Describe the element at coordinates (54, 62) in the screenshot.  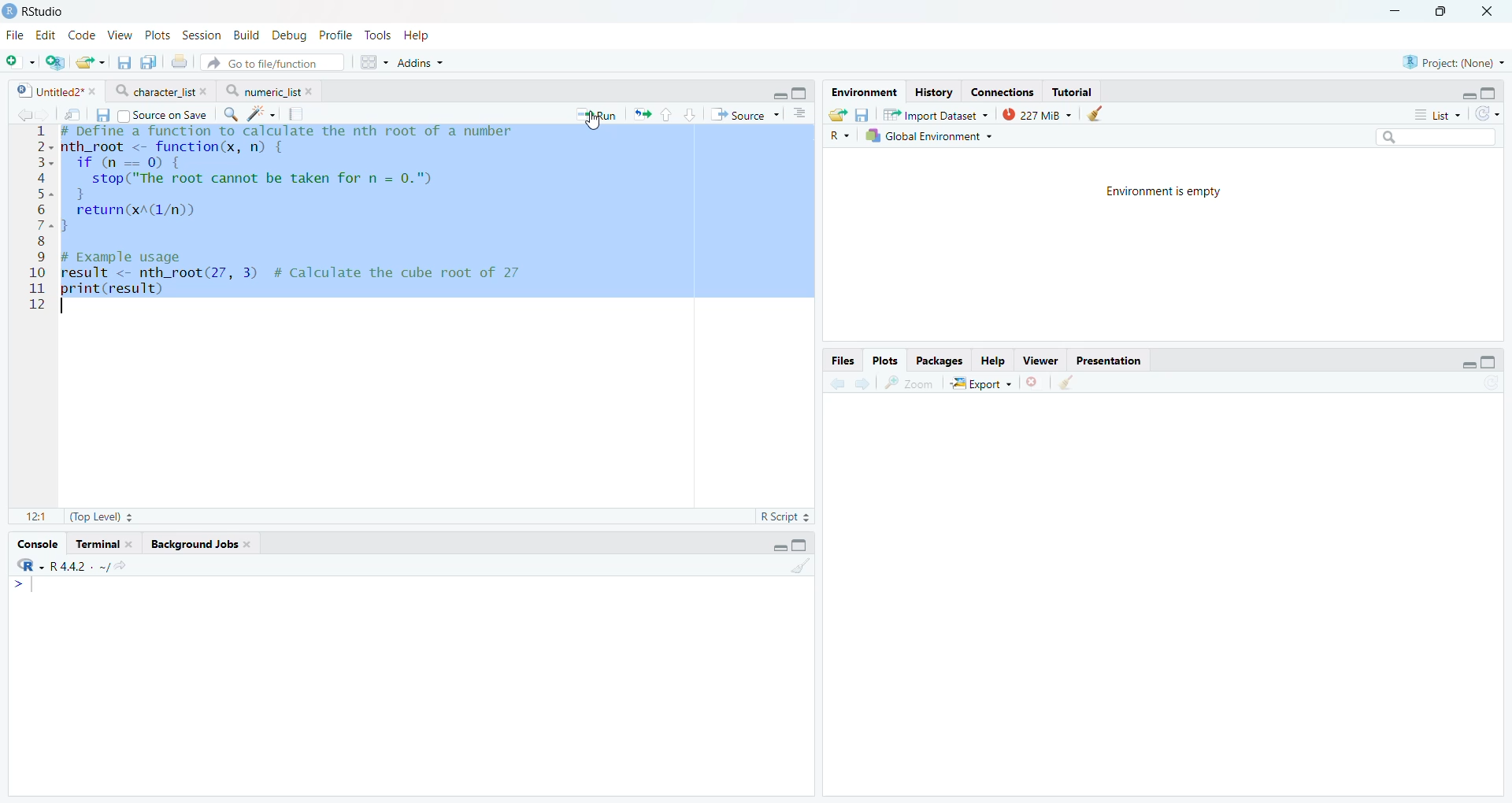
I see `Open new project` at that location.